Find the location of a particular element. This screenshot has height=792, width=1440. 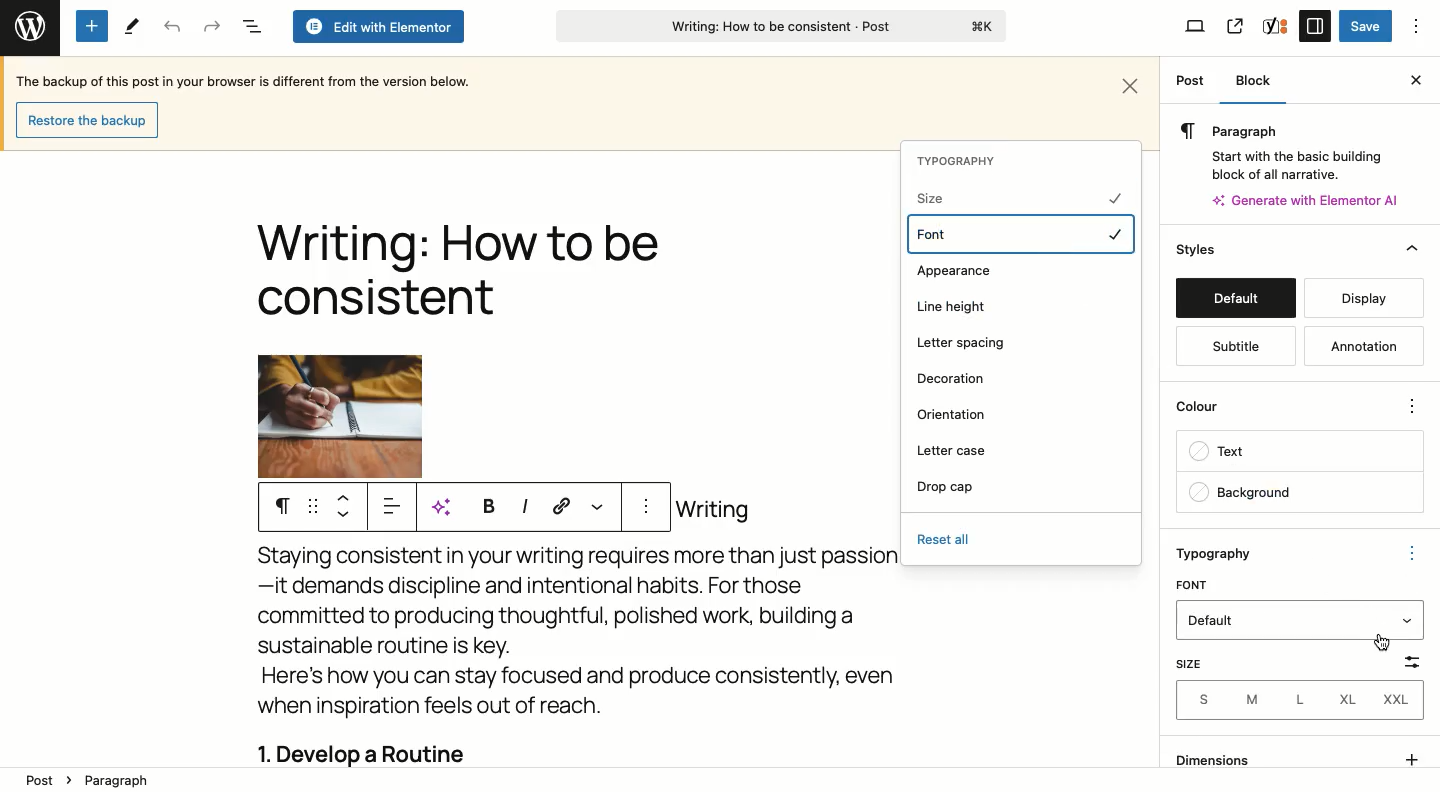

FONT is located at coordinates (1194, 583).